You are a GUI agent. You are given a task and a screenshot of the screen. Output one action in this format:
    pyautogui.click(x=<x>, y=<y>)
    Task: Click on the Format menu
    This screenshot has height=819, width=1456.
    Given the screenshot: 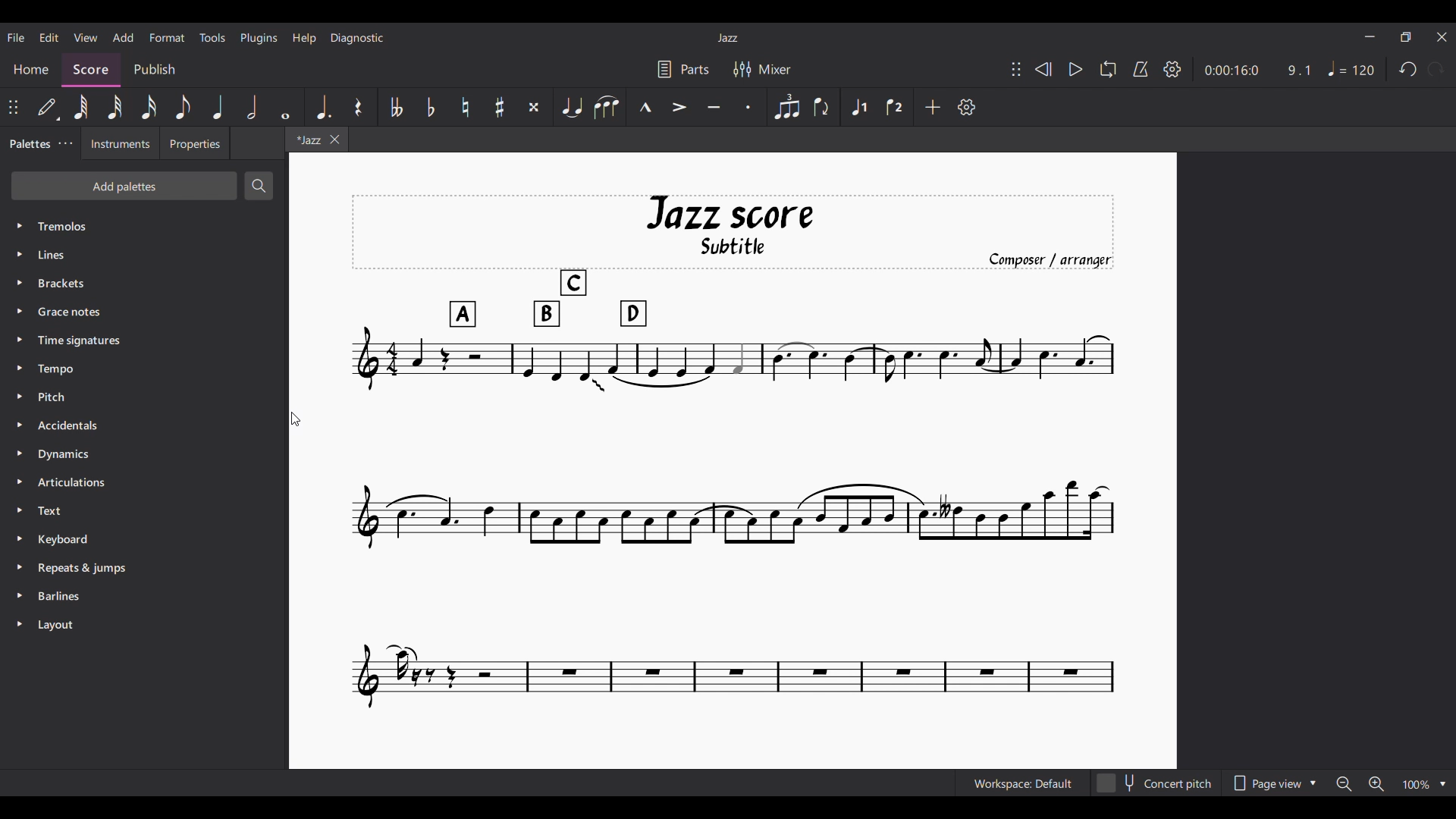 What is the action you would take?
    pyautogui.click(x=167, y=37)
    